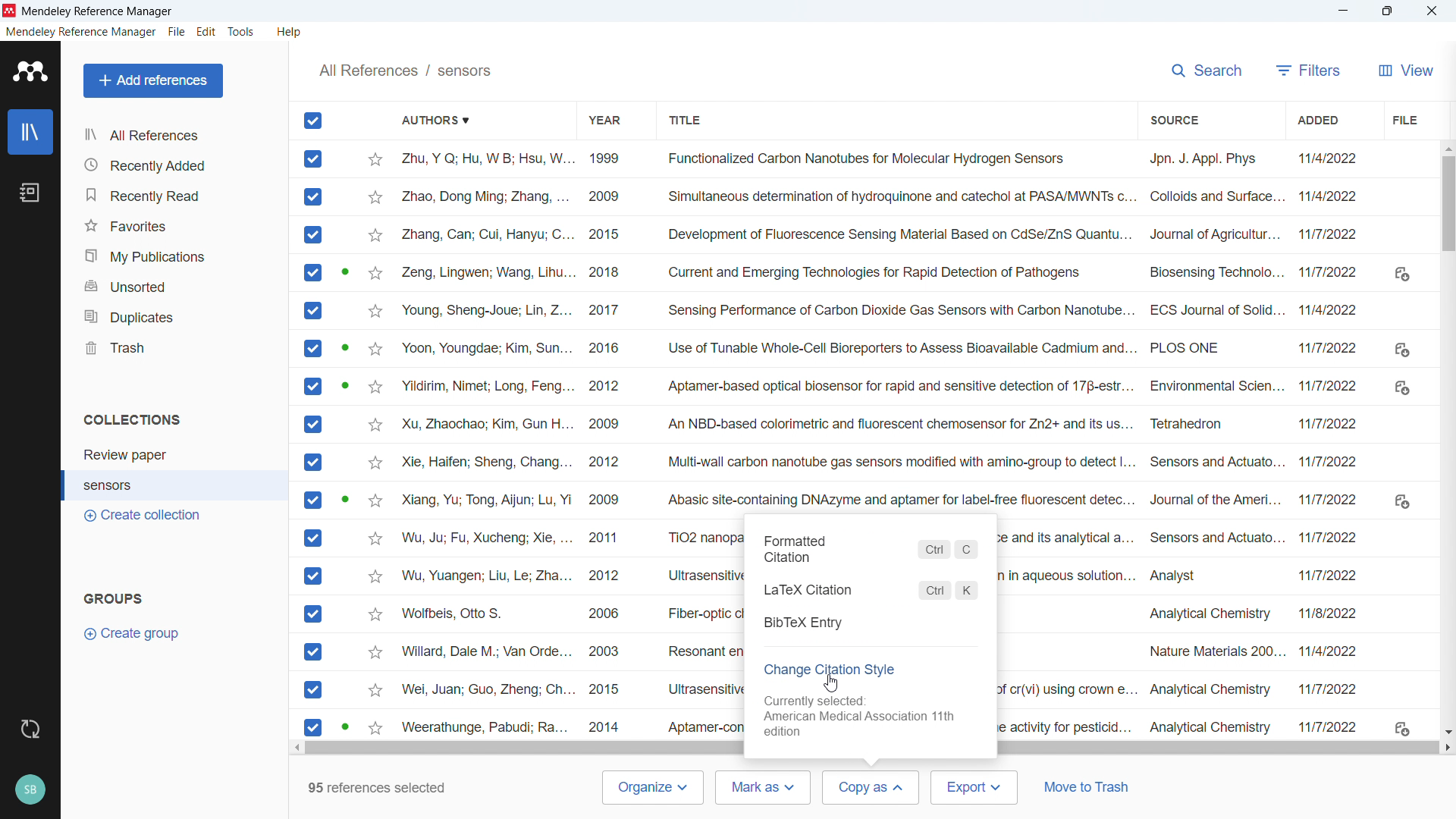 The height and width of the screenshot is (819, 1456). I want to click on help, so click(290, 33).